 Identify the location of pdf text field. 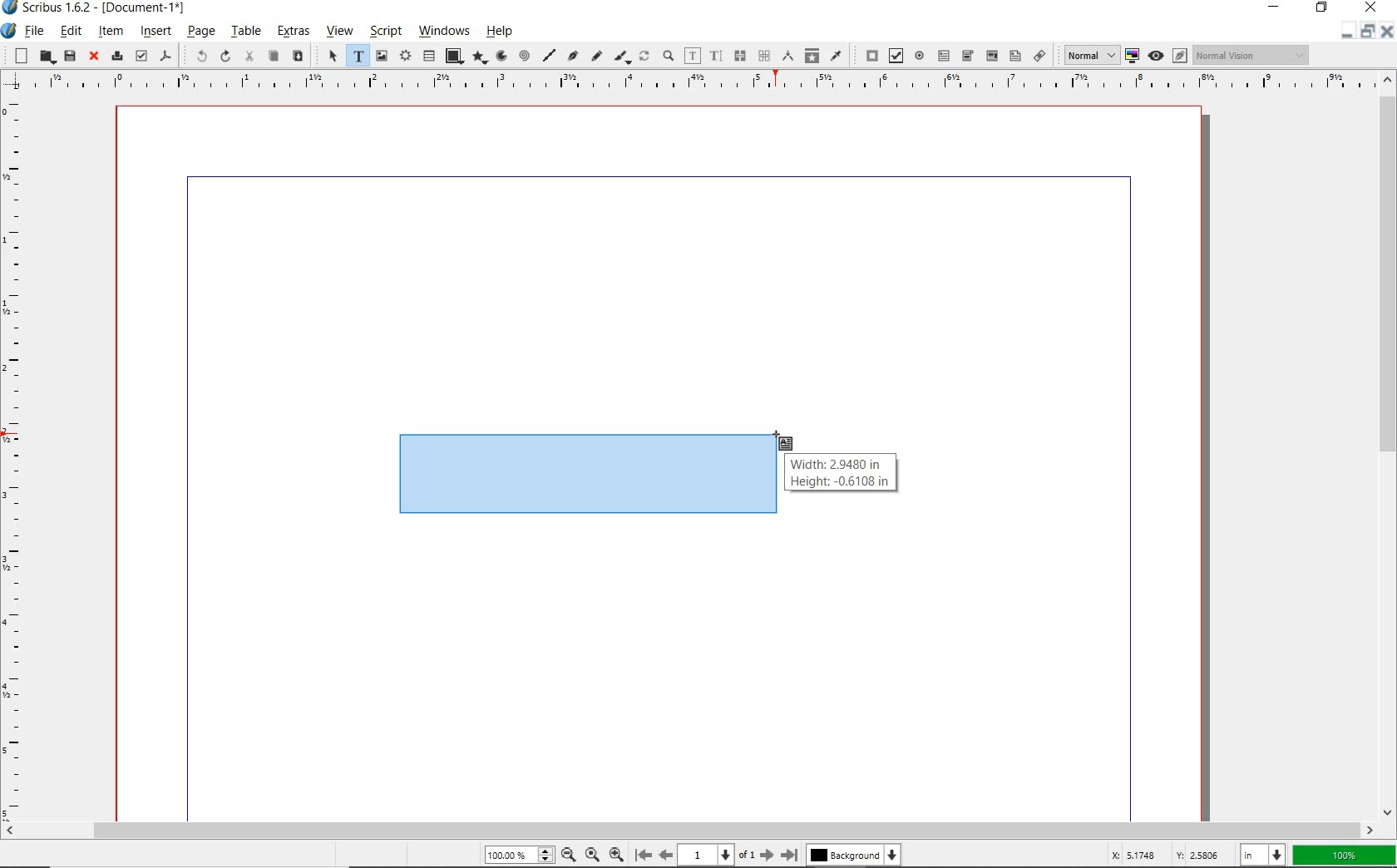
(943, 55).